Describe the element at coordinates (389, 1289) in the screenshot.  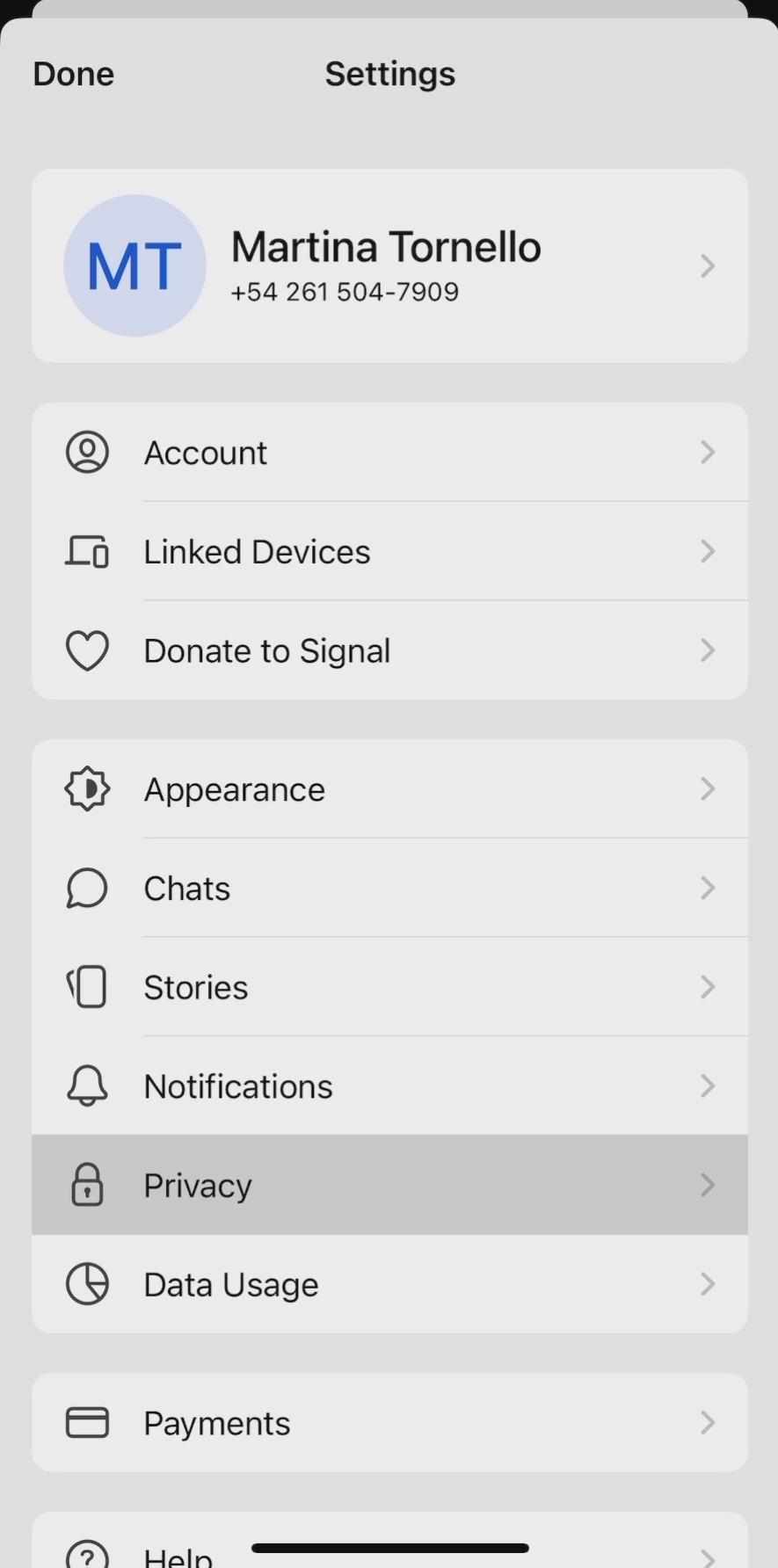
I see `data usage` at that location.